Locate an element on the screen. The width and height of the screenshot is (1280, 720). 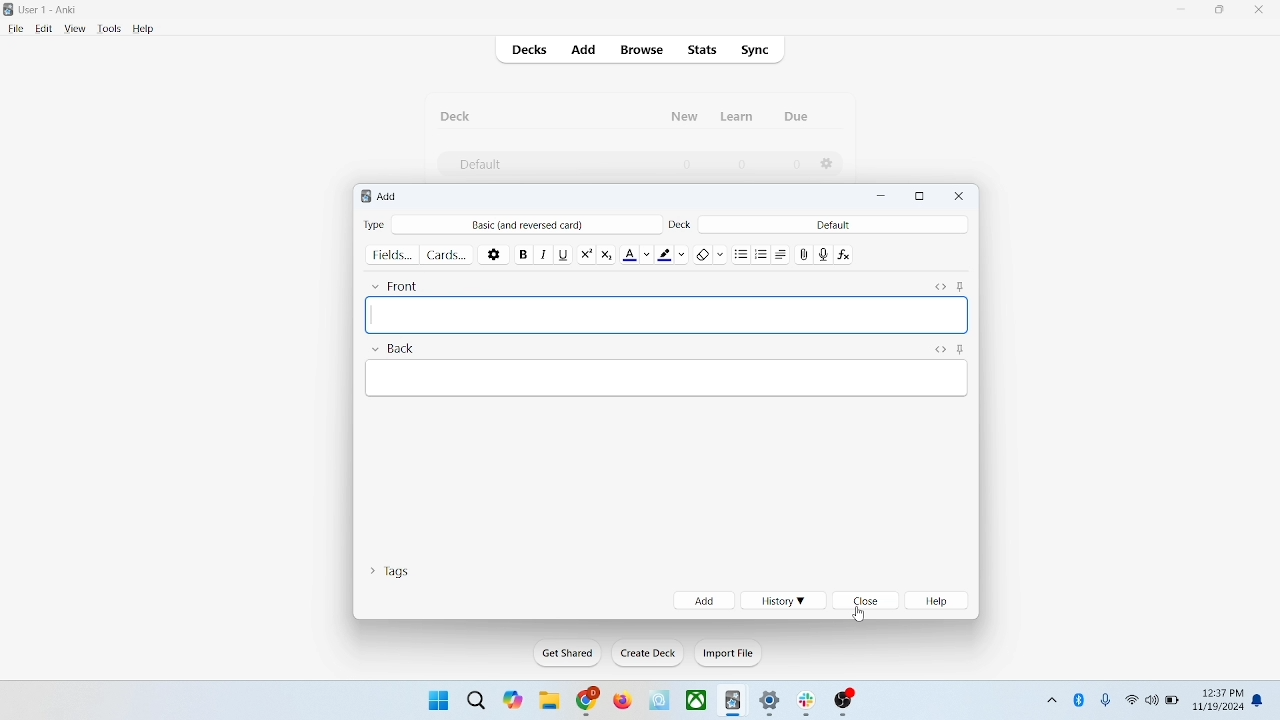
sticky is located at coordinates (960, 348).